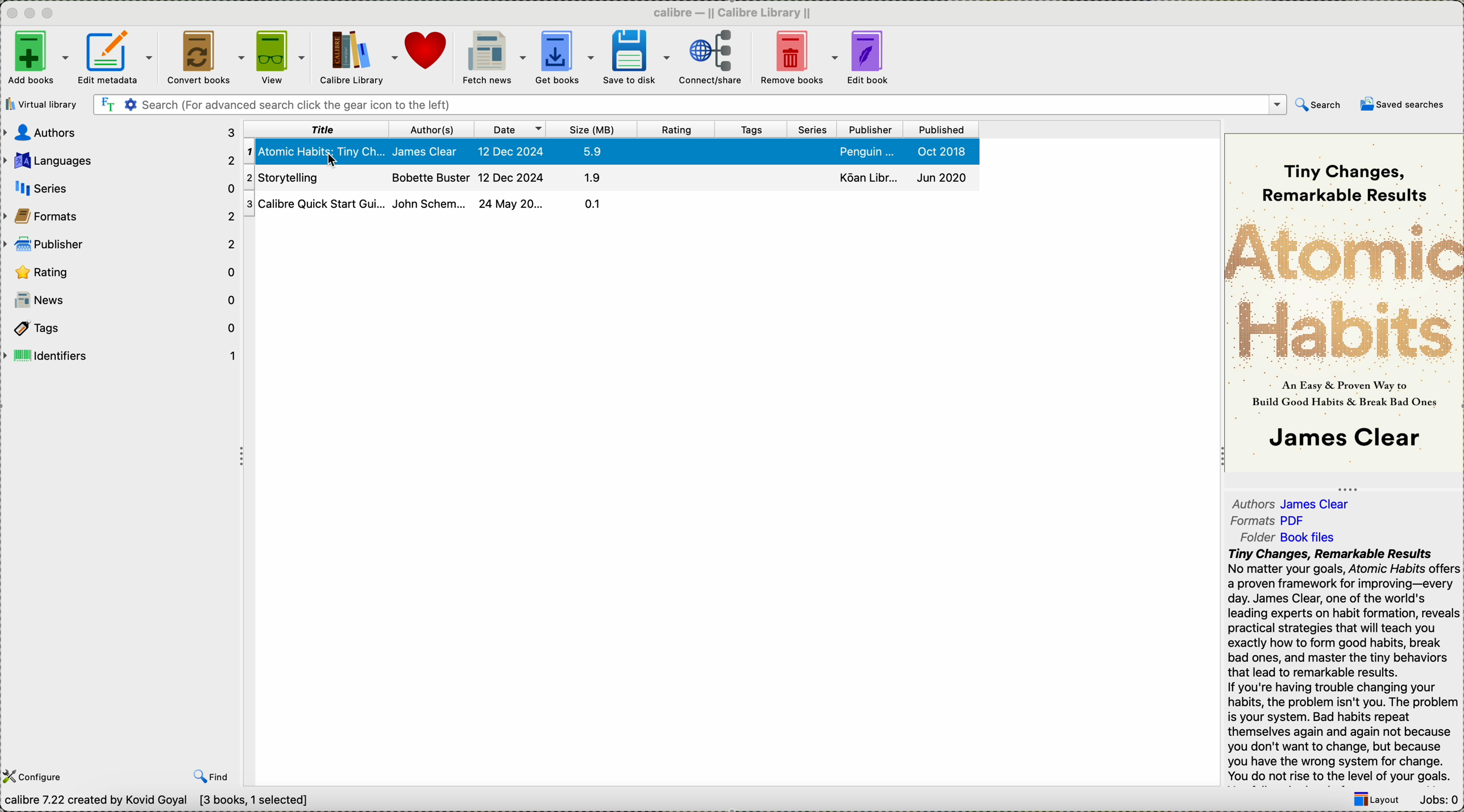  Describe the element at coordinates (941, 130) in the screenshot. I see `published` at that location.